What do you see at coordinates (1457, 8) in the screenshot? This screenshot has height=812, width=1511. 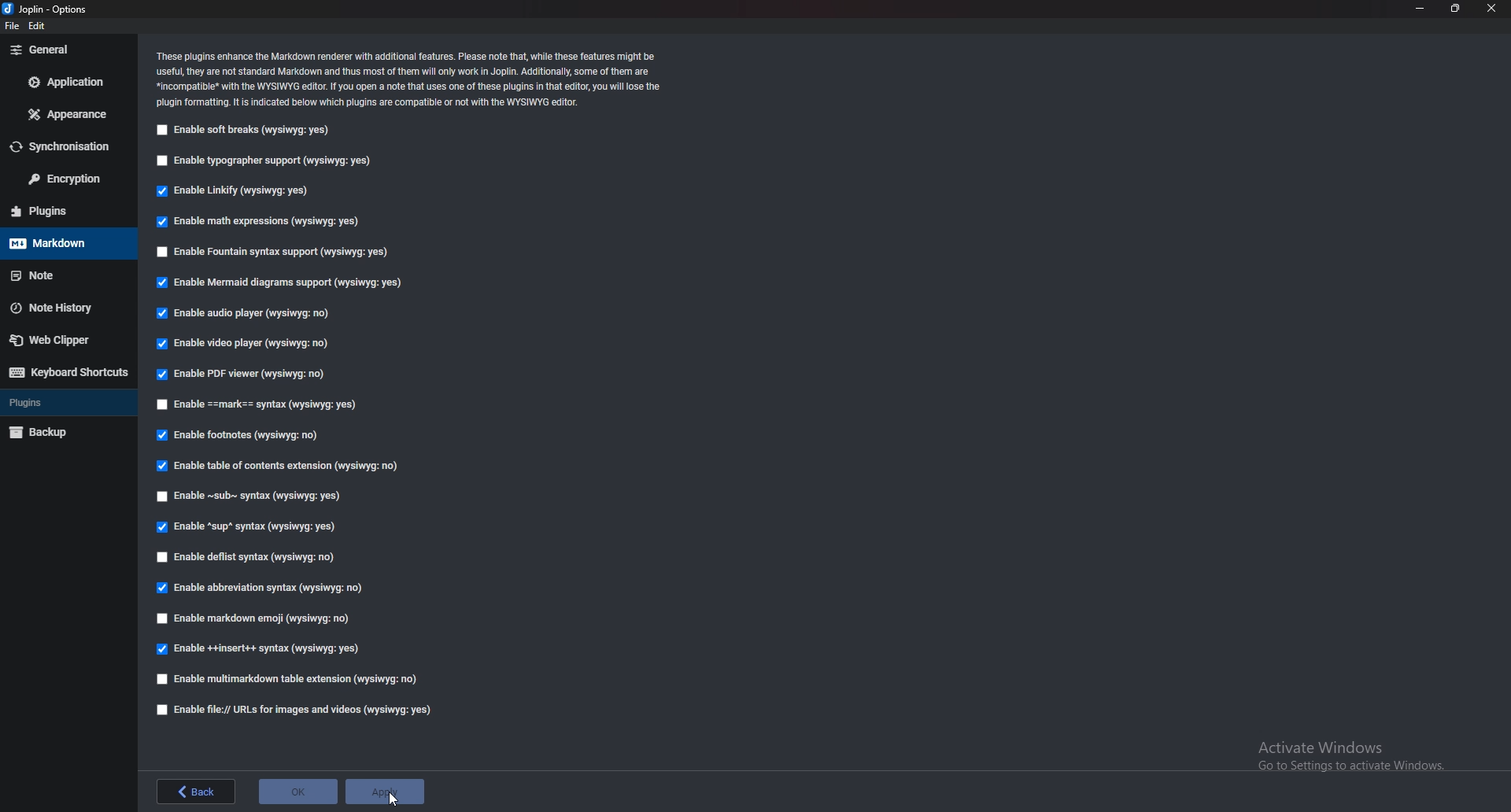 I see `Resize` at bounding box center [1457, 8].